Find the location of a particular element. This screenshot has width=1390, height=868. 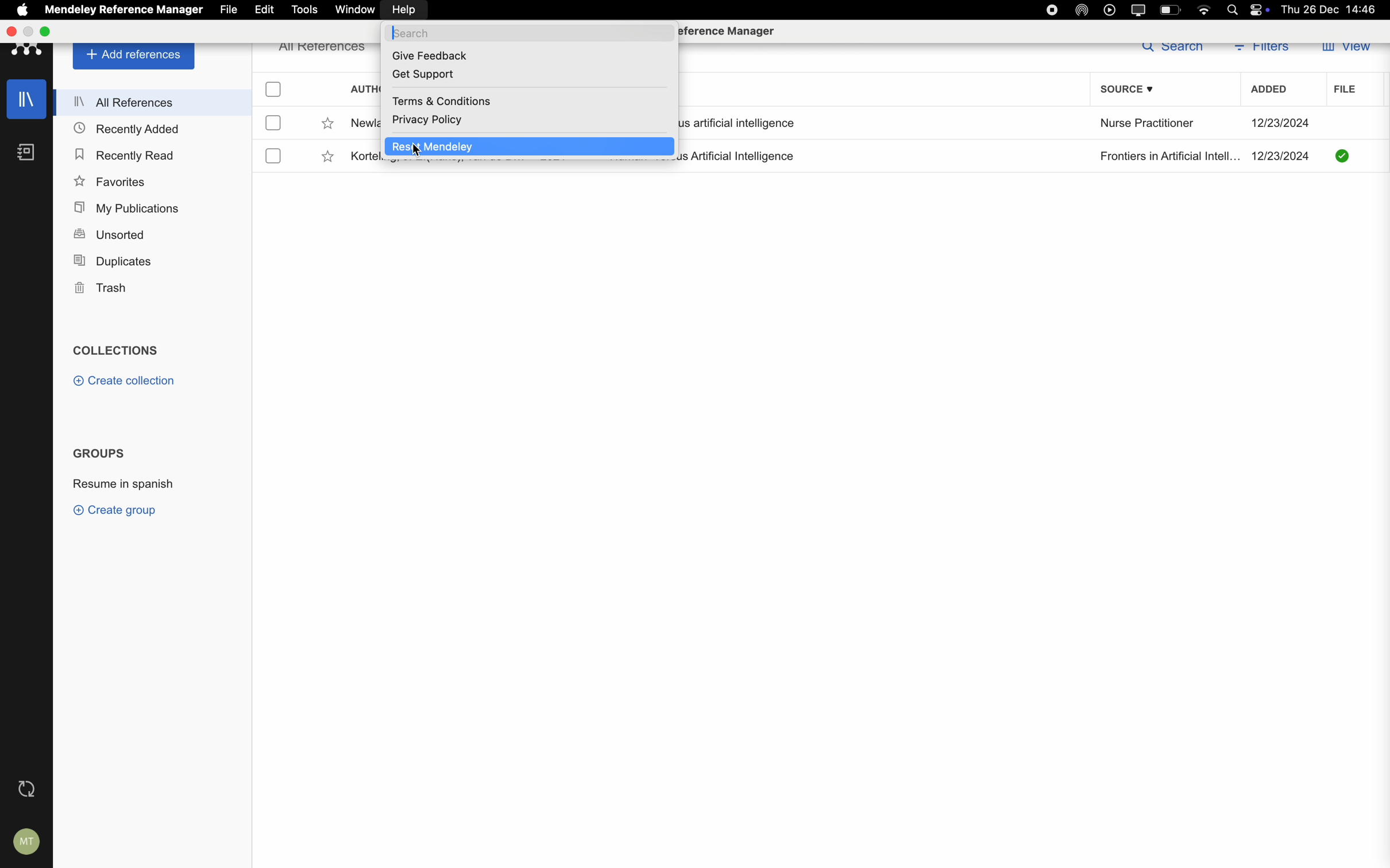

favorites is located at coordinates (113, 180).